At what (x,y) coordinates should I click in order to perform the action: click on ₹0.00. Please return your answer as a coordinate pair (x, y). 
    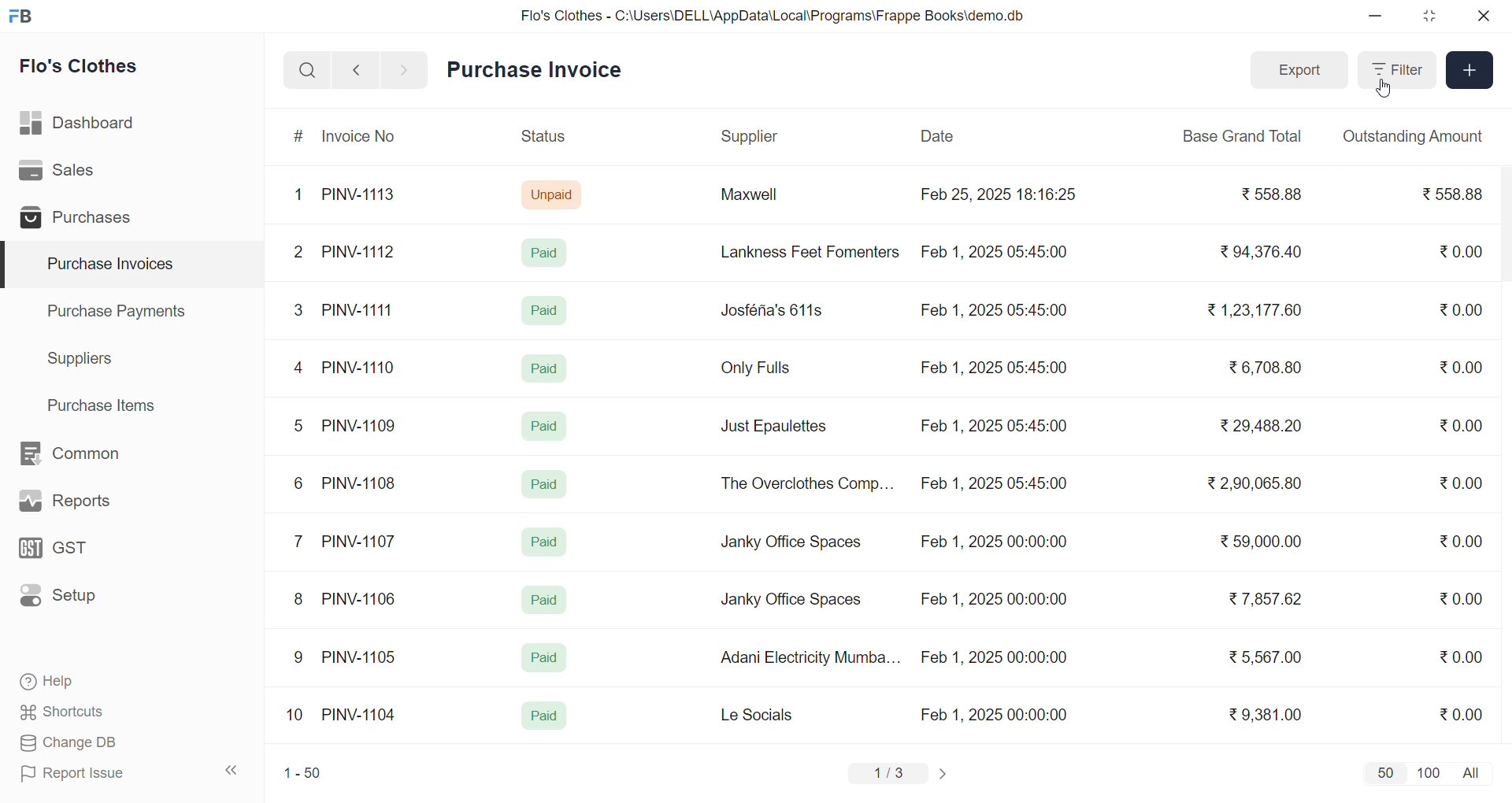
    Looking at the image, I should click on (1466, 539).